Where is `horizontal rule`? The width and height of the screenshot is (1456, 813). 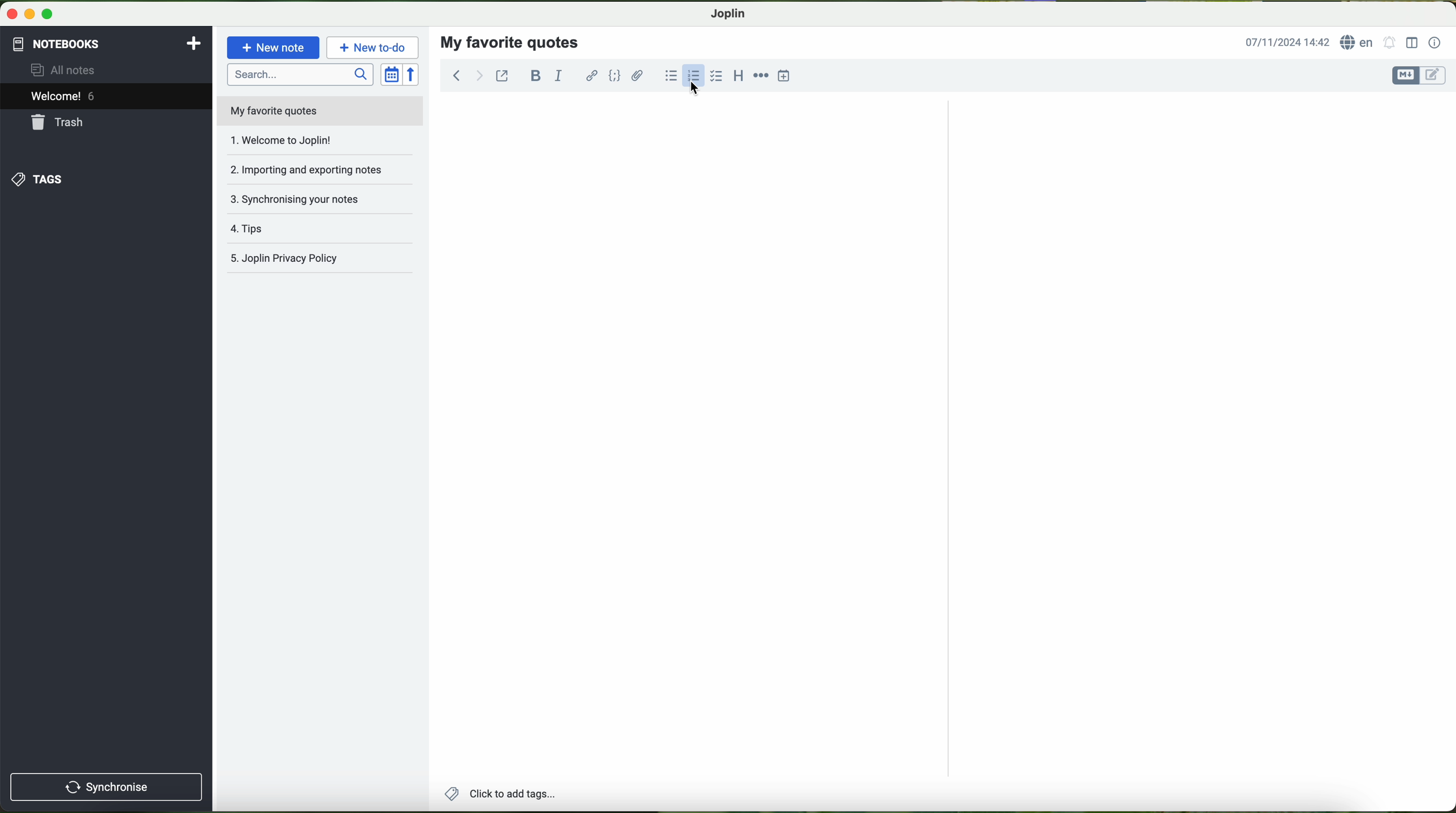
horizontal rule is located at coordinates (761, 76).